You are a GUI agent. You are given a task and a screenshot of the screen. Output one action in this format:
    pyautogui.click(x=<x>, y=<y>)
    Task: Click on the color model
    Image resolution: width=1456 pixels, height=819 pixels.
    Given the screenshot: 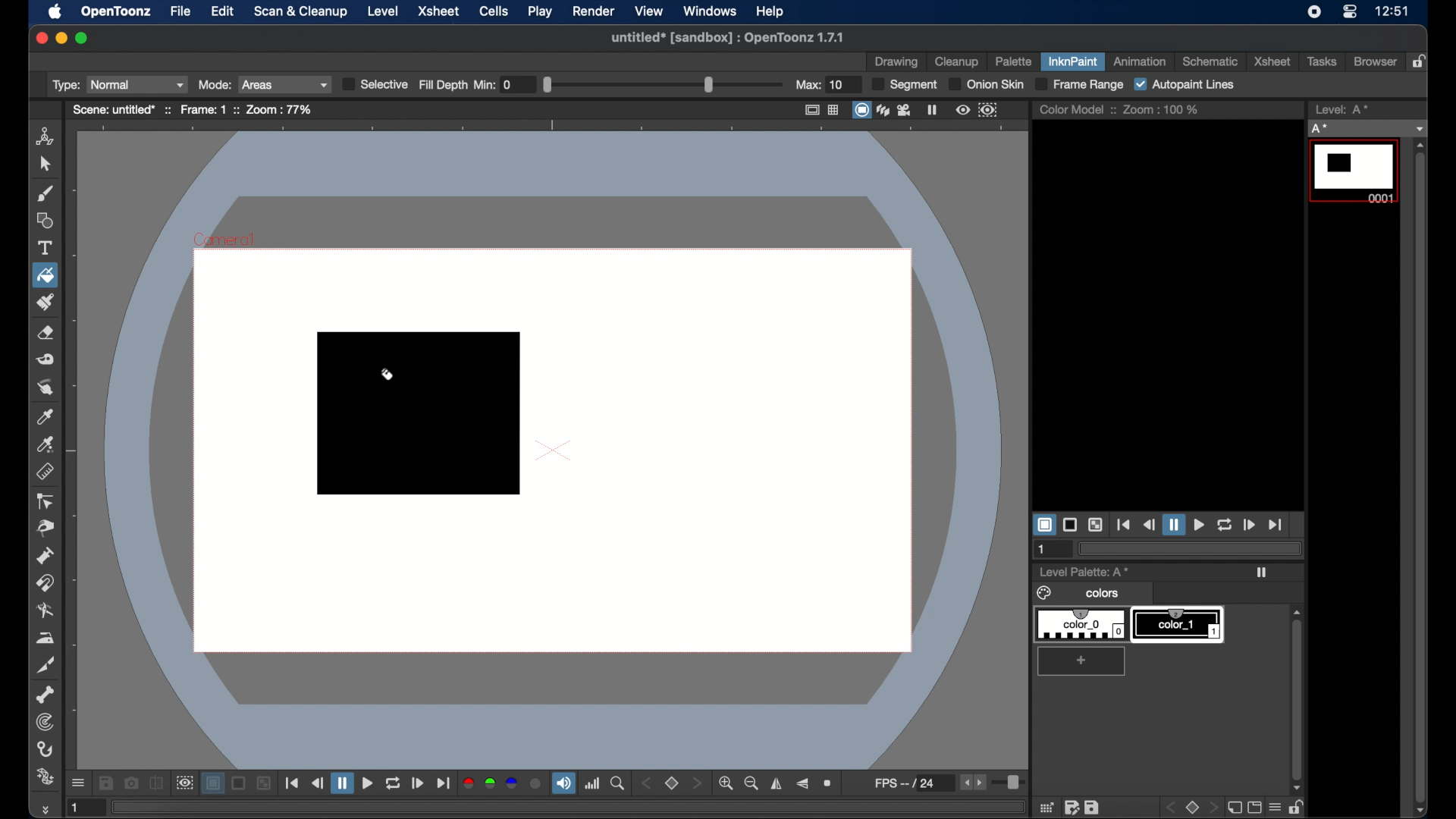 What is the action you would take?
    pyautogui.click(x=1077, y=108)
    